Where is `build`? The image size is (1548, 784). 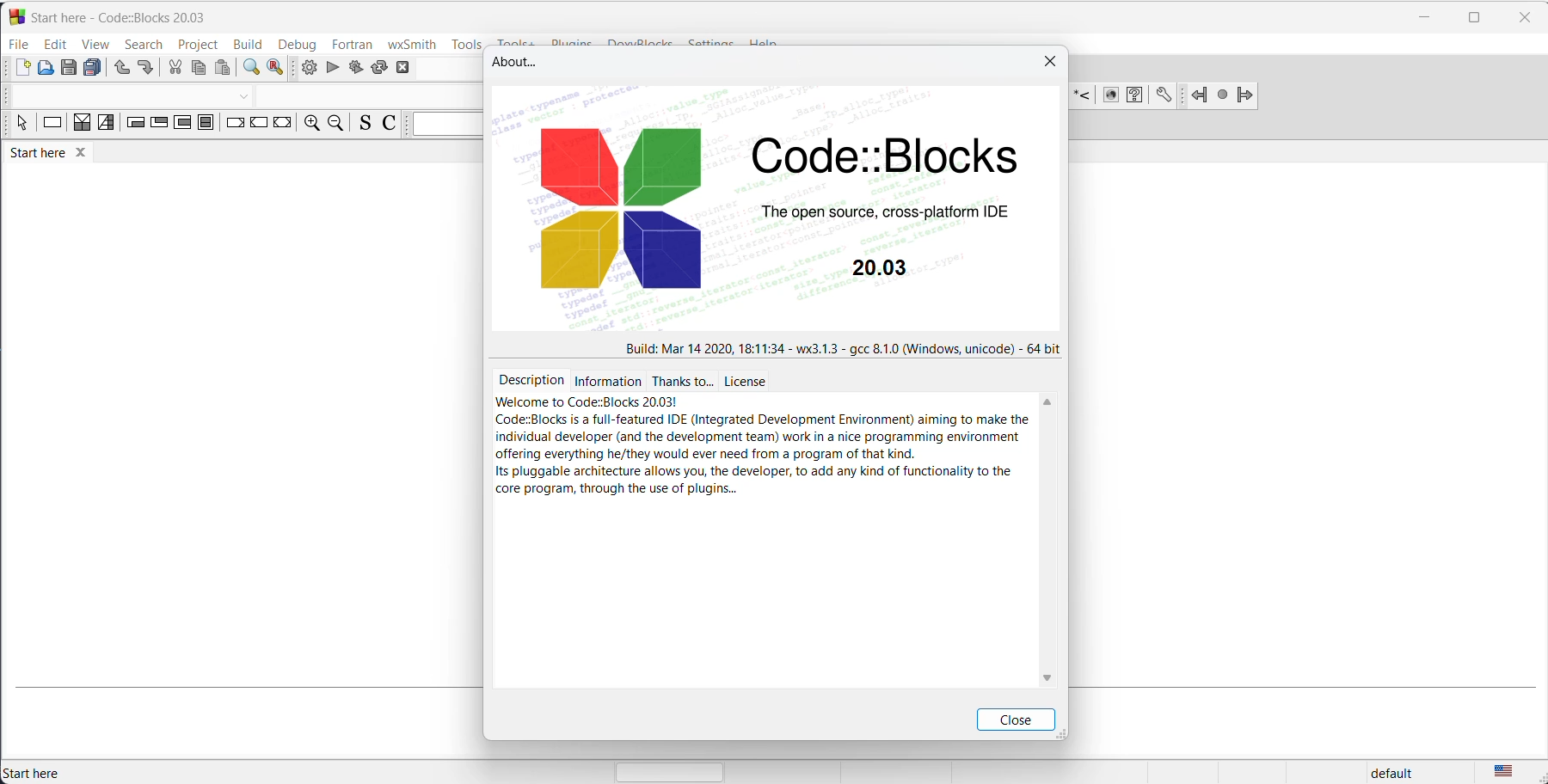 build is located at coordinates (245, 44).